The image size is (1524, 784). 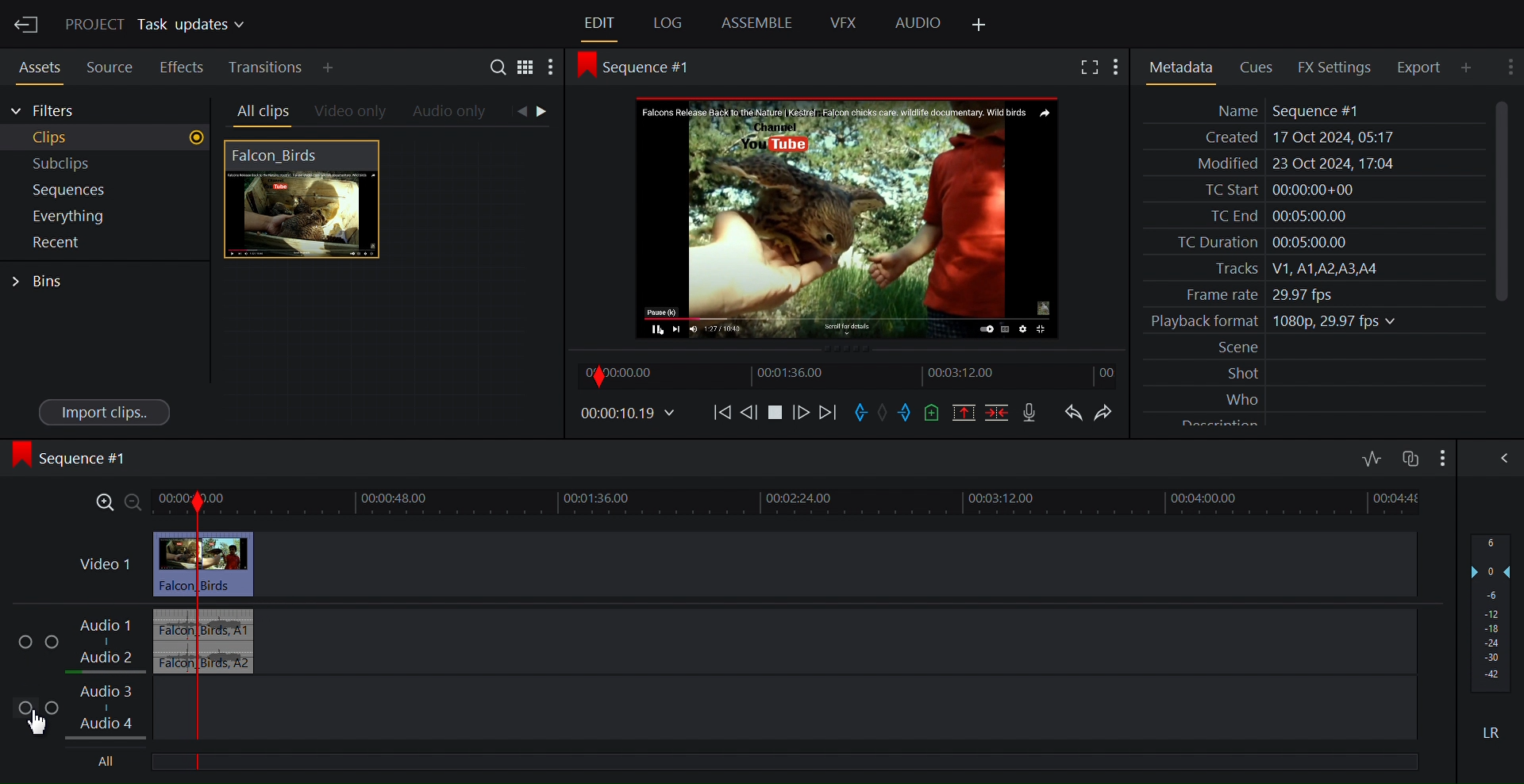 What do you see at coordinates (105, 564) in the screenshot?
I see `Video 1` at bounding box center [105, 564].